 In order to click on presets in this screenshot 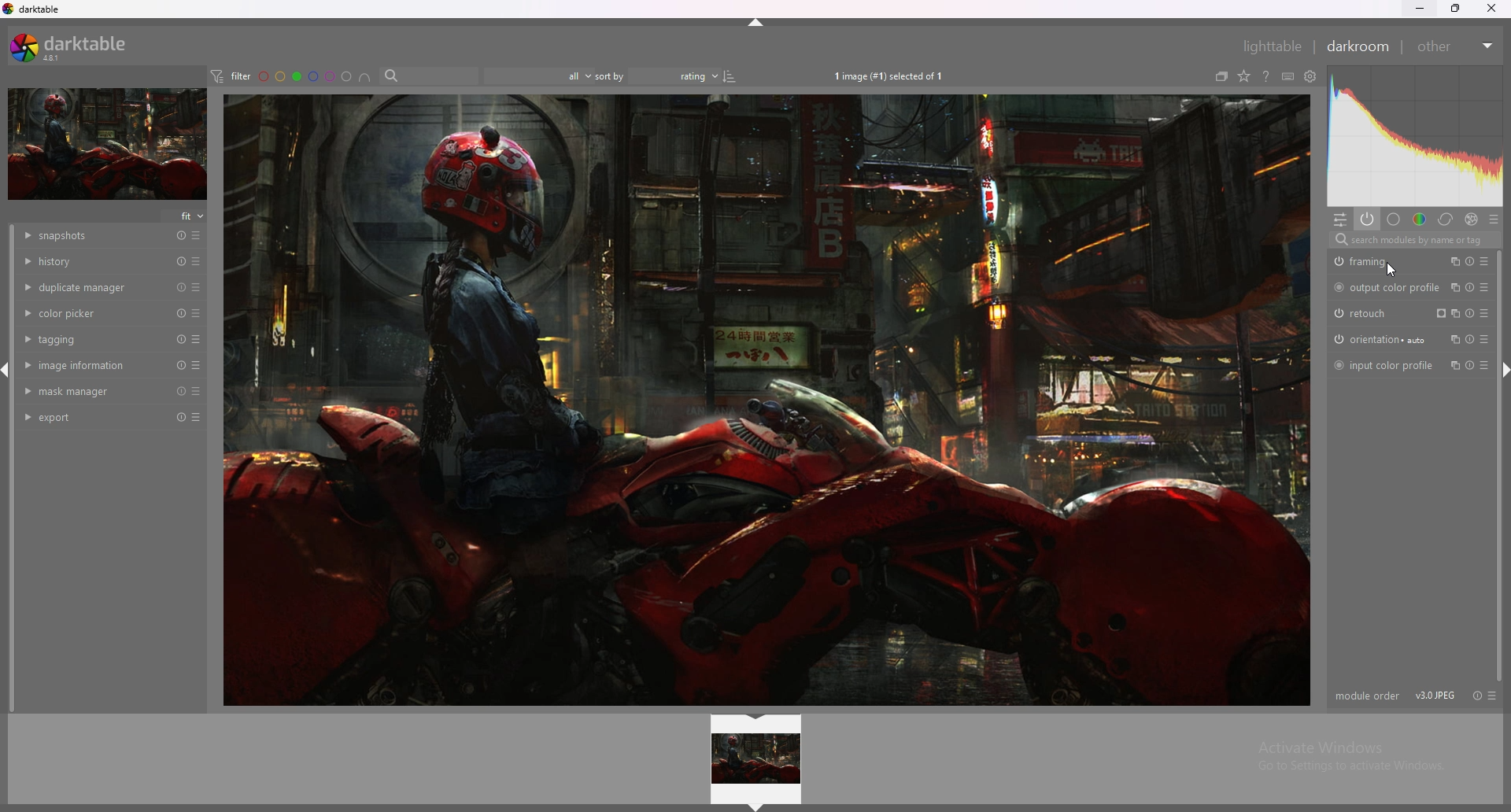, I will do `click(1487, 289)`.